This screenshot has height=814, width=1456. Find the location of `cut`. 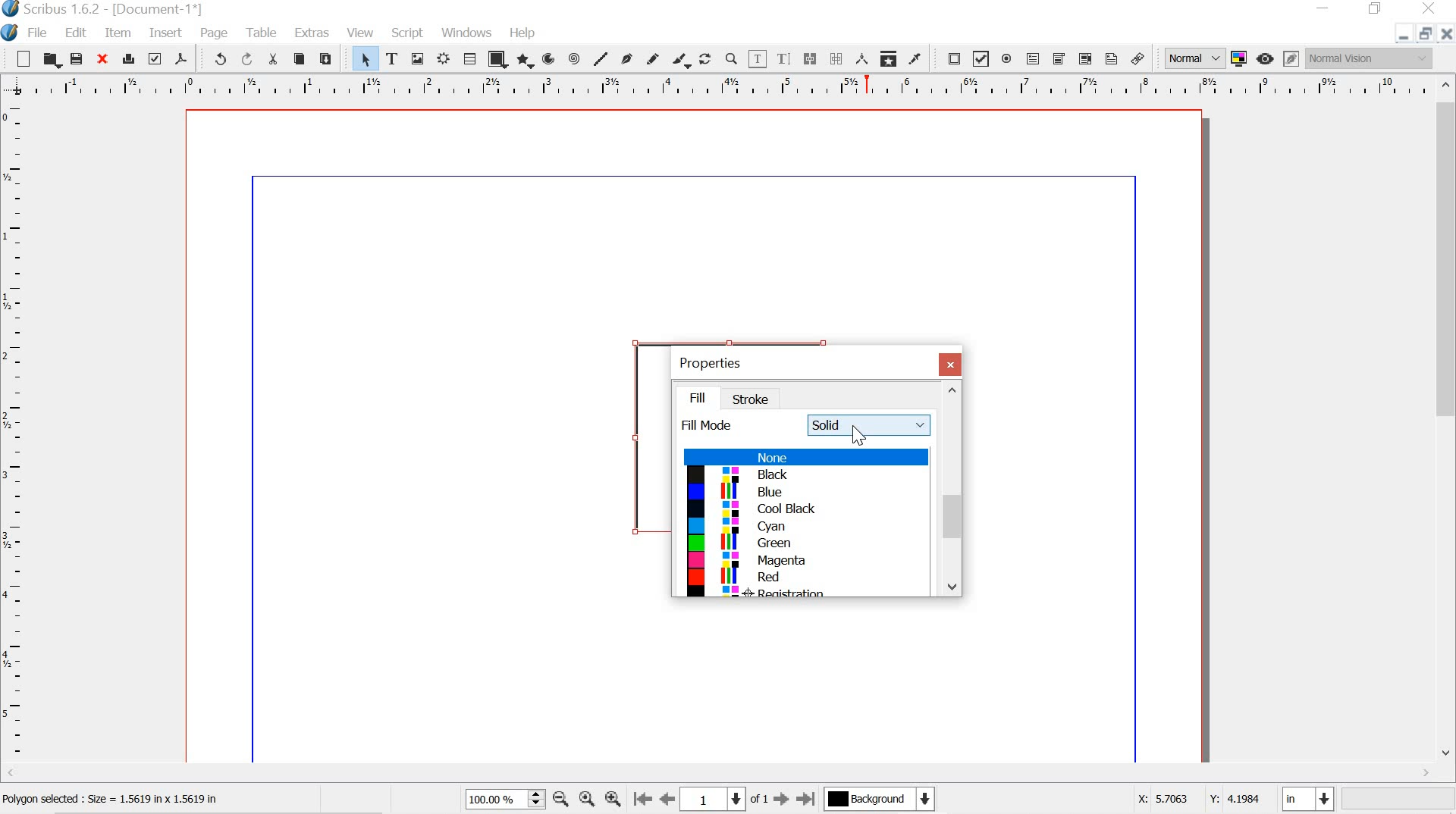

cut is located at coordinates (275, 59).